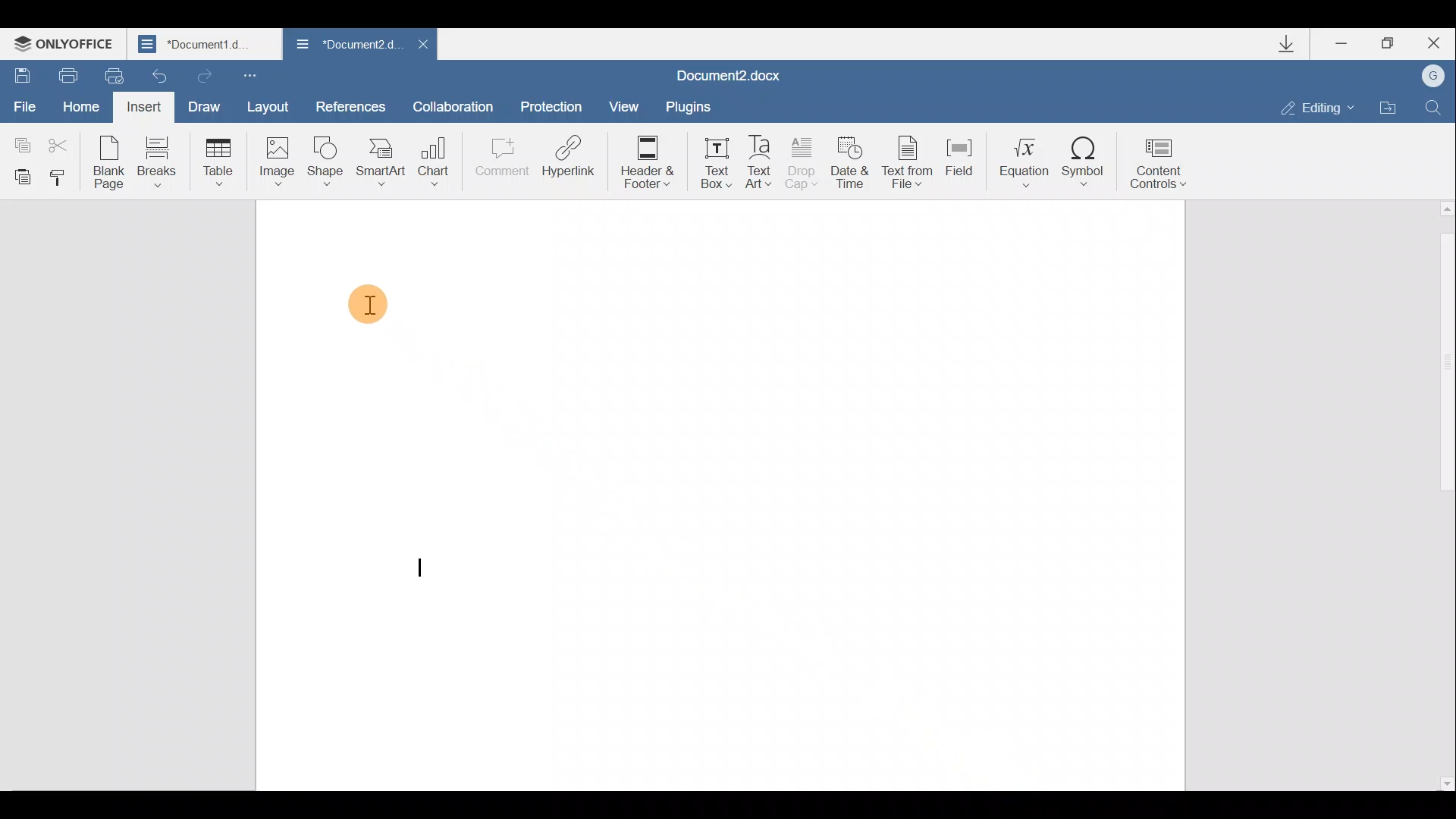 The image size is (1456, 819). What do you see at coordinates (1020, 162) in the screenshot?
I see `Equation` at bounding box center [1020, 162].